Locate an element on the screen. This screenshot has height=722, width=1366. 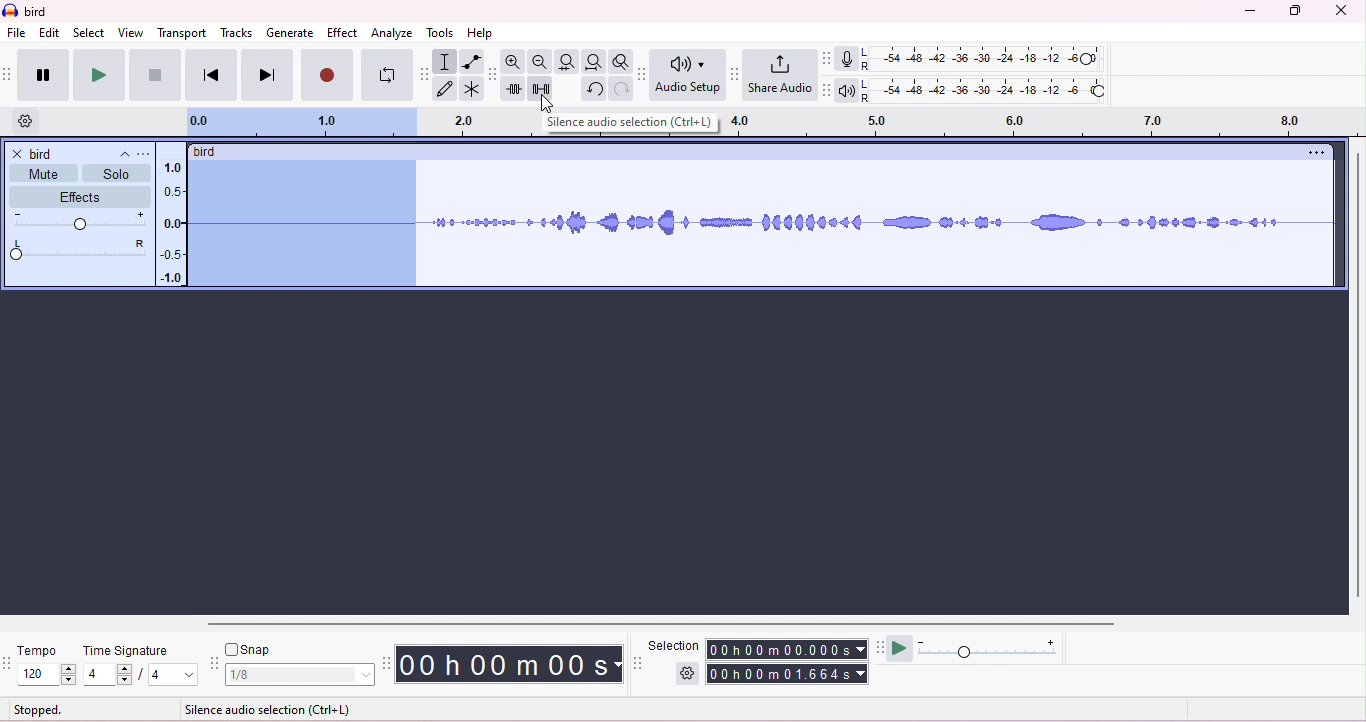
waveform is located at coordinates (883, 219).